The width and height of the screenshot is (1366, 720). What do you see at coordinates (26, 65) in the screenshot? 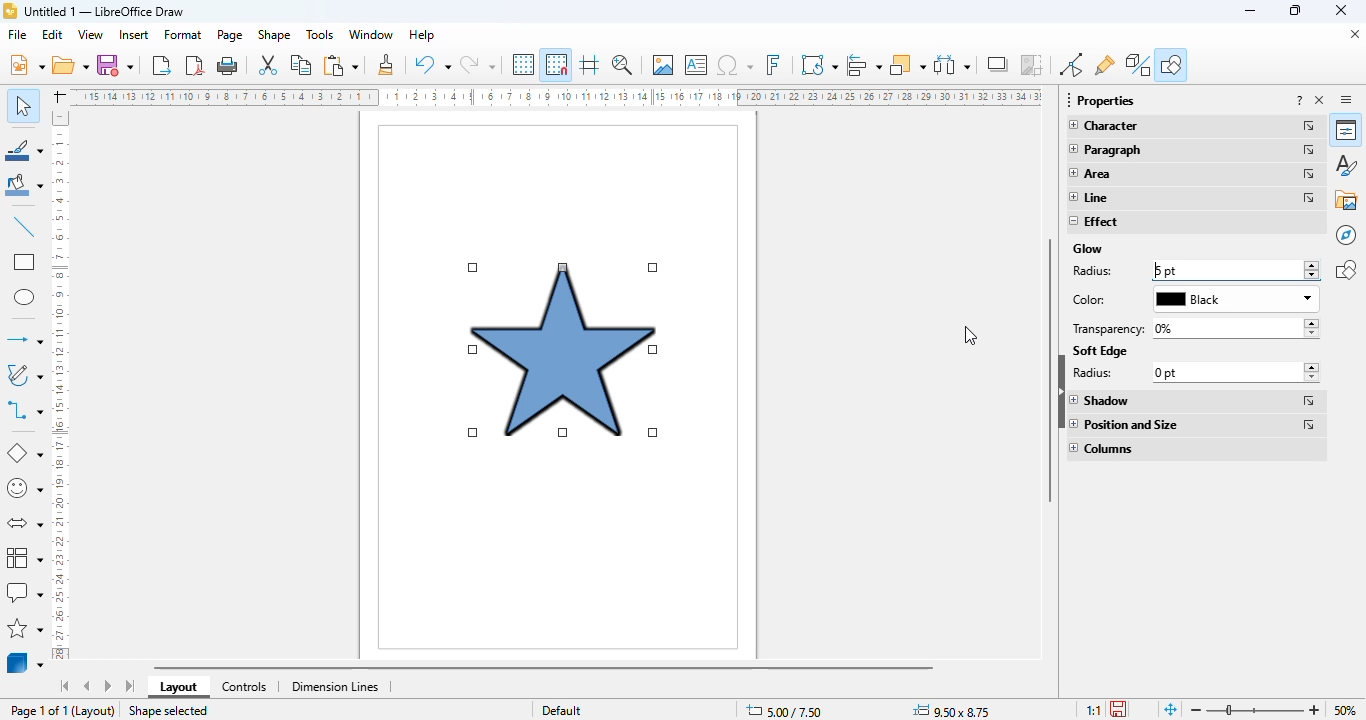
I see `new` at bounding box center [26, 65].